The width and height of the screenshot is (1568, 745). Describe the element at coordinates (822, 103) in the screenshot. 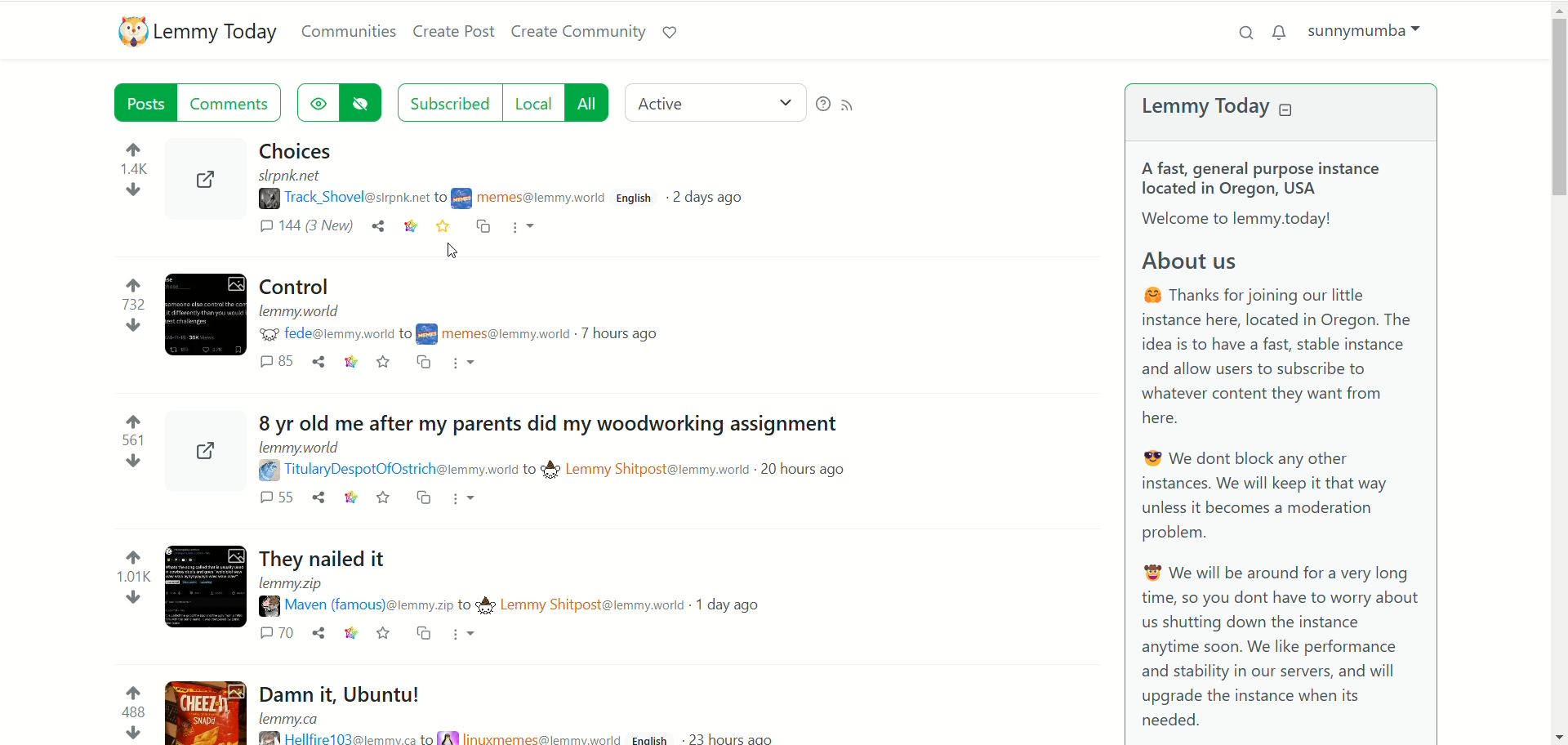

I see `help` at that location.